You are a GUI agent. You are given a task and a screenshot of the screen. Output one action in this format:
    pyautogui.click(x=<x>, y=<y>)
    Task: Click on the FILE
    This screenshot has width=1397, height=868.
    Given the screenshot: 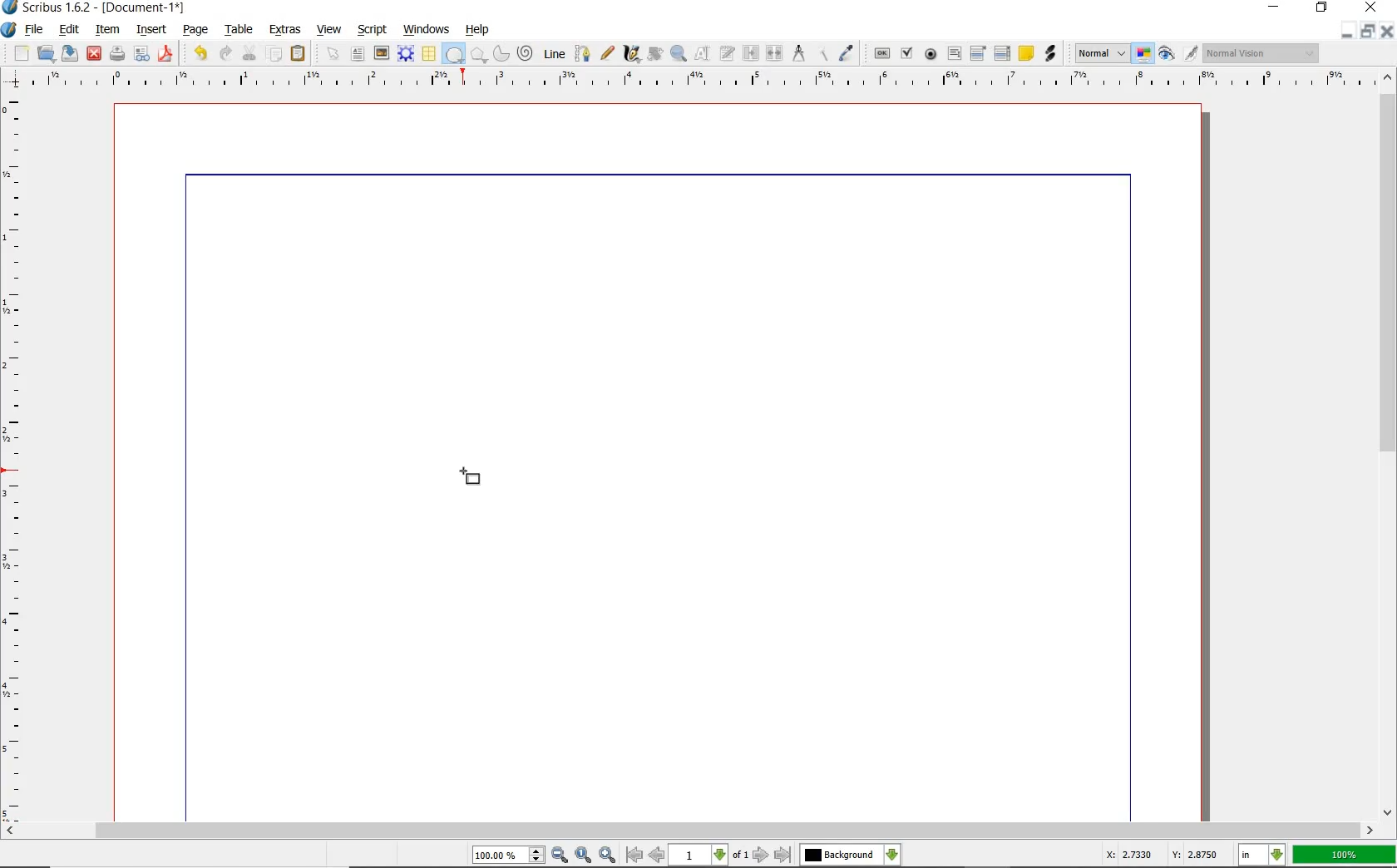 What is the action you would take?
    pyautogui.click(x=36, y=29)
    